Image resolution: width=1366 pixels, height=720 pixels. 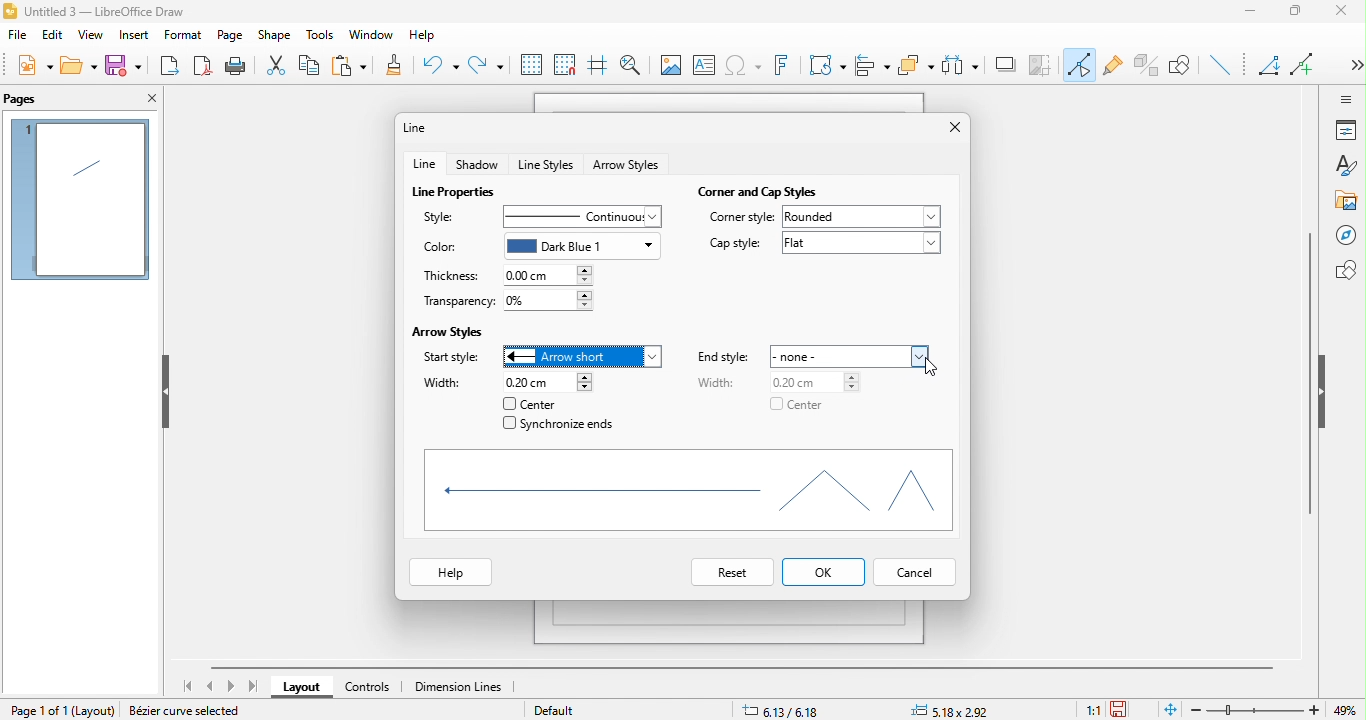 What do you see at coordinates (546, 164) in the screenshot?
I see `line styles` at bounding box center [546, 164].